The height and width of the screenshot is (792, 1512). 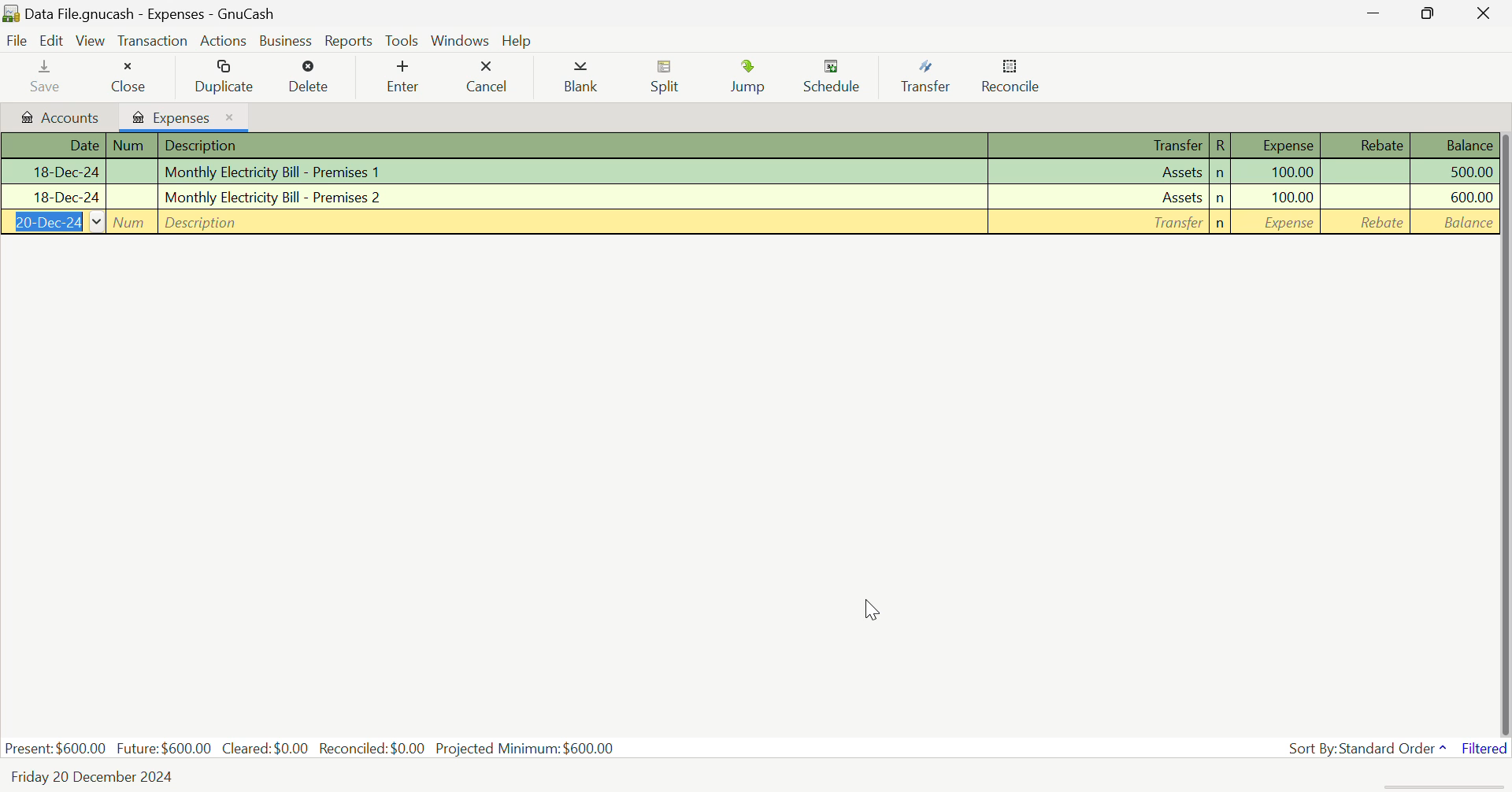 What do you see at coordinates (133, 77) in the screenshot?
I see `Close` at bounding box center [133, 77].